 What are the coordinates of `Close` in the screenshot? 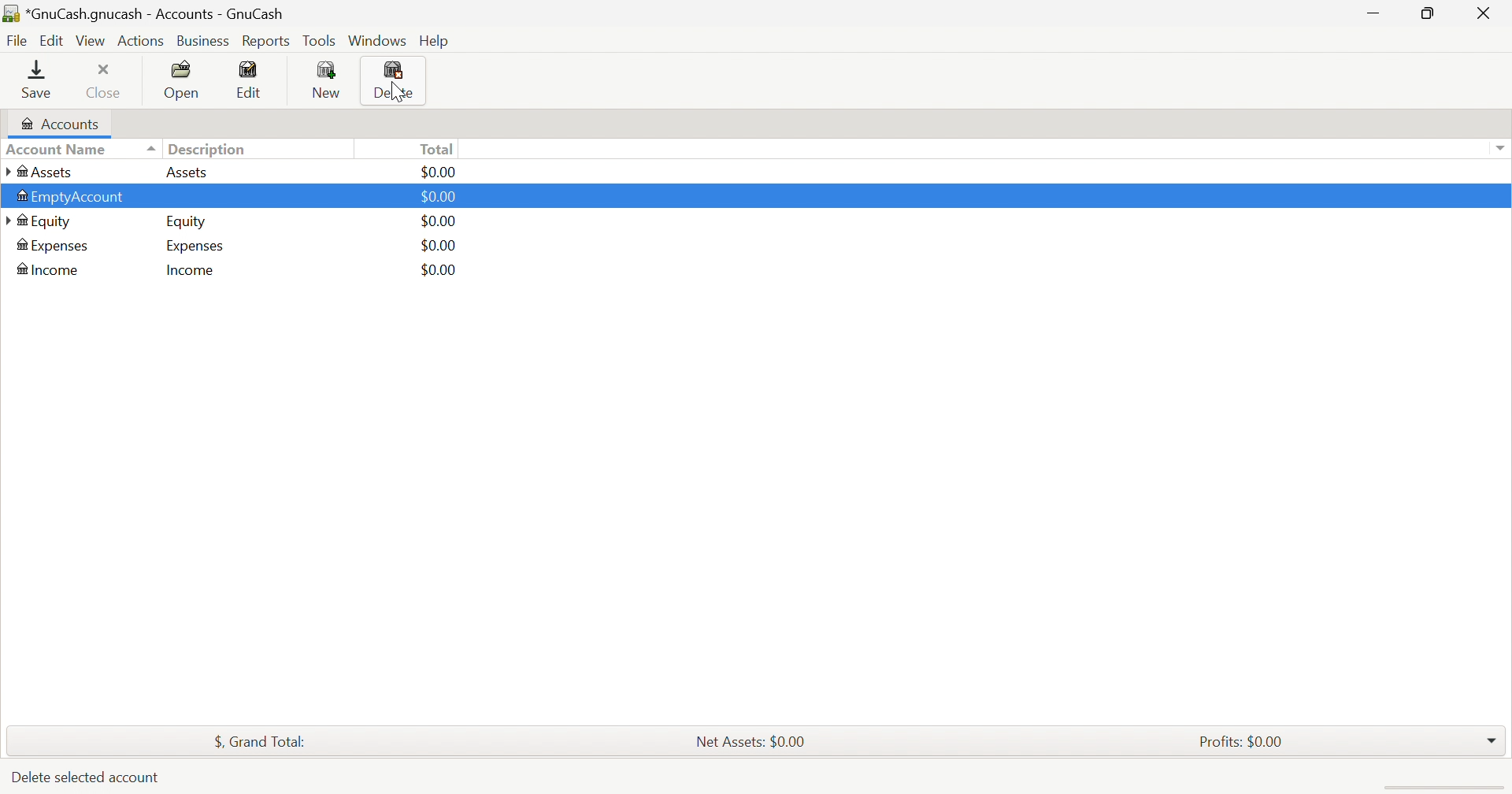 It's located at (1488, 14).